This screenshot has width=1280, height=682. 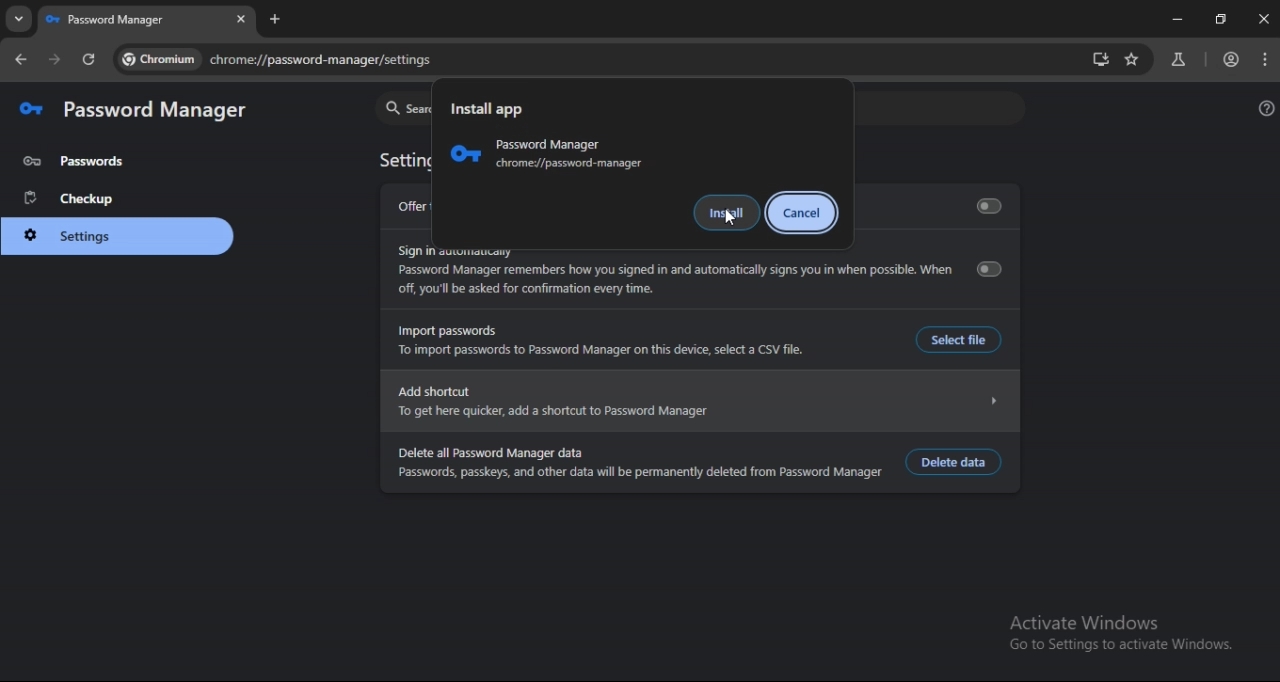 I want to click on new tab, so click(x=275, y=19).